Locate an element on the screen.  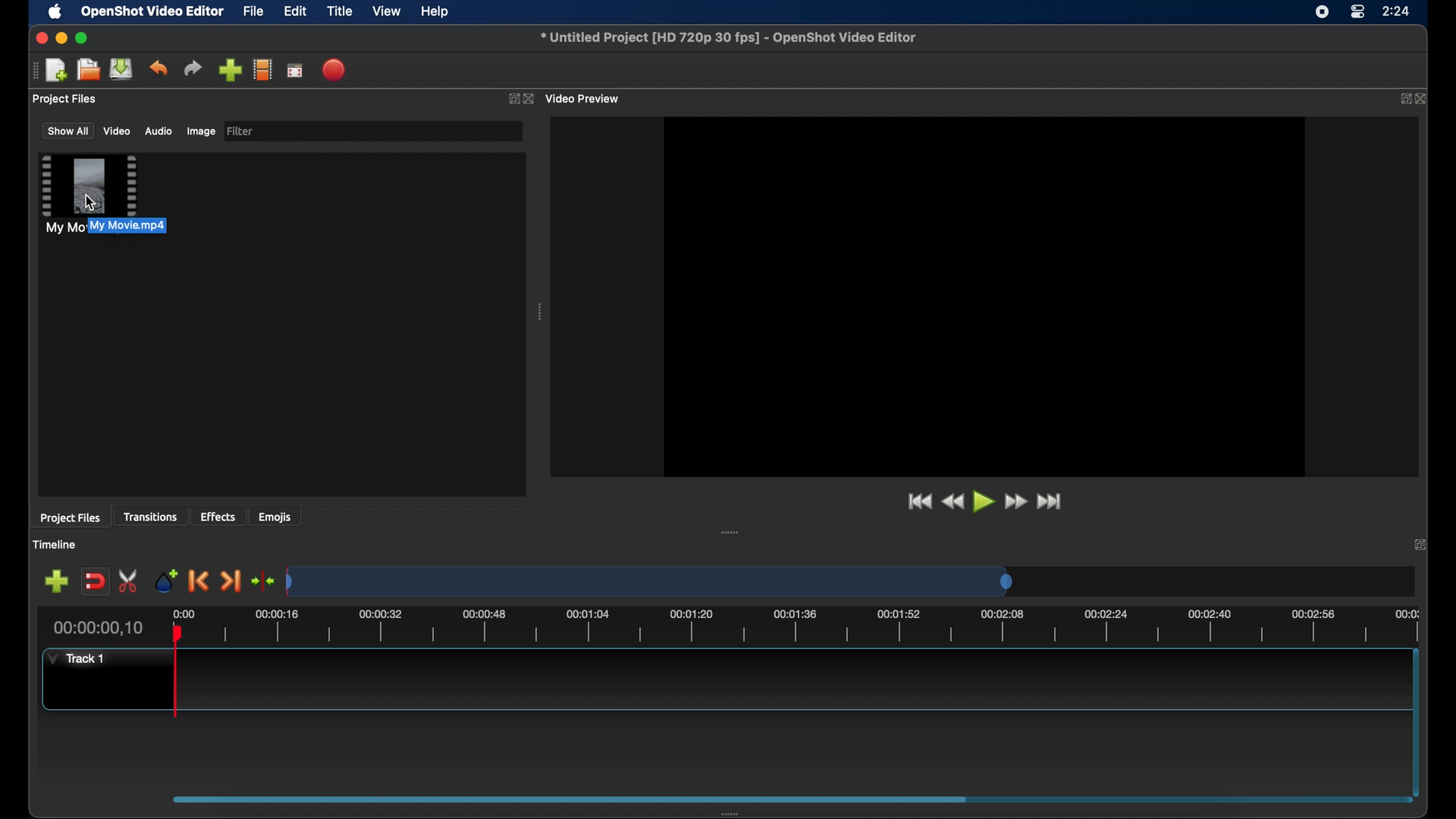
save project files is located at coordinates (121, 69).